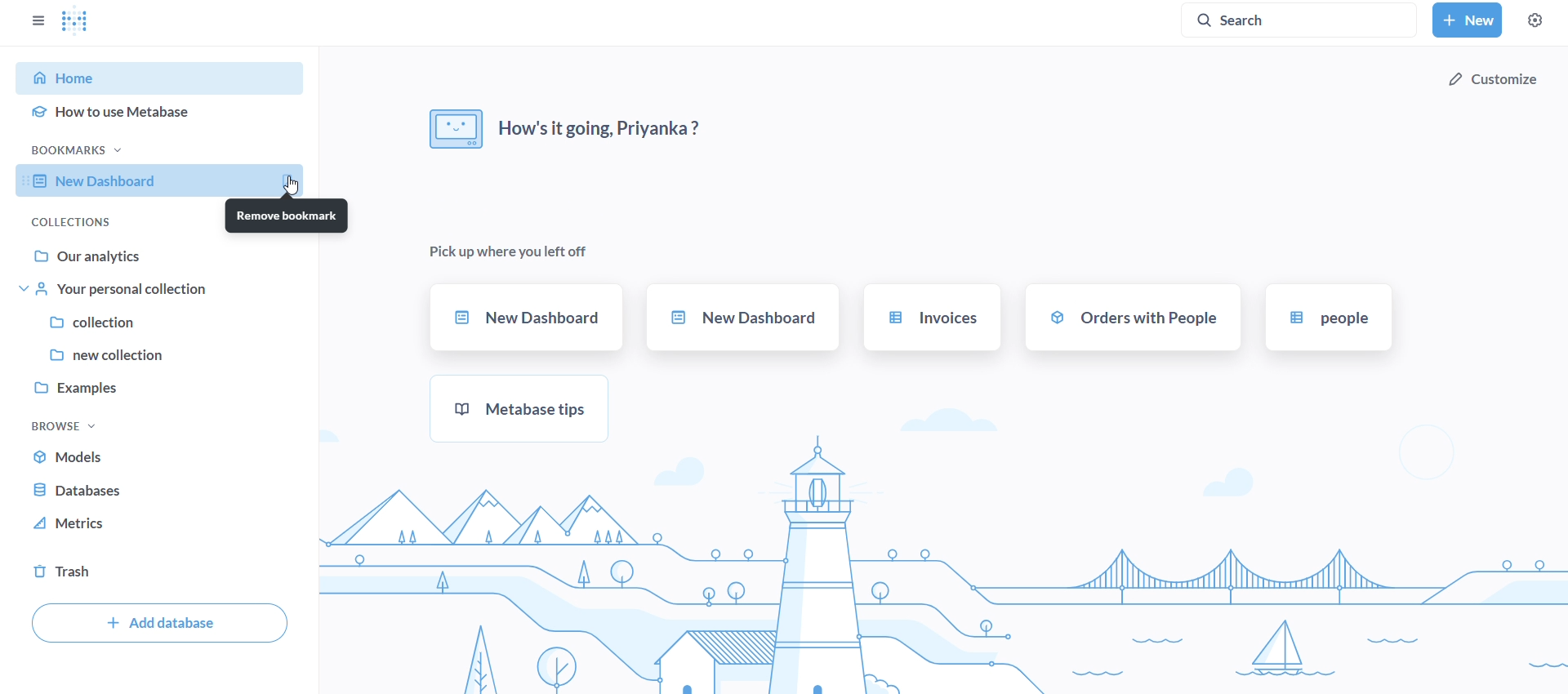  Describe the element at coordinates (162, 78) in the screenshot. I see `home` at that location.